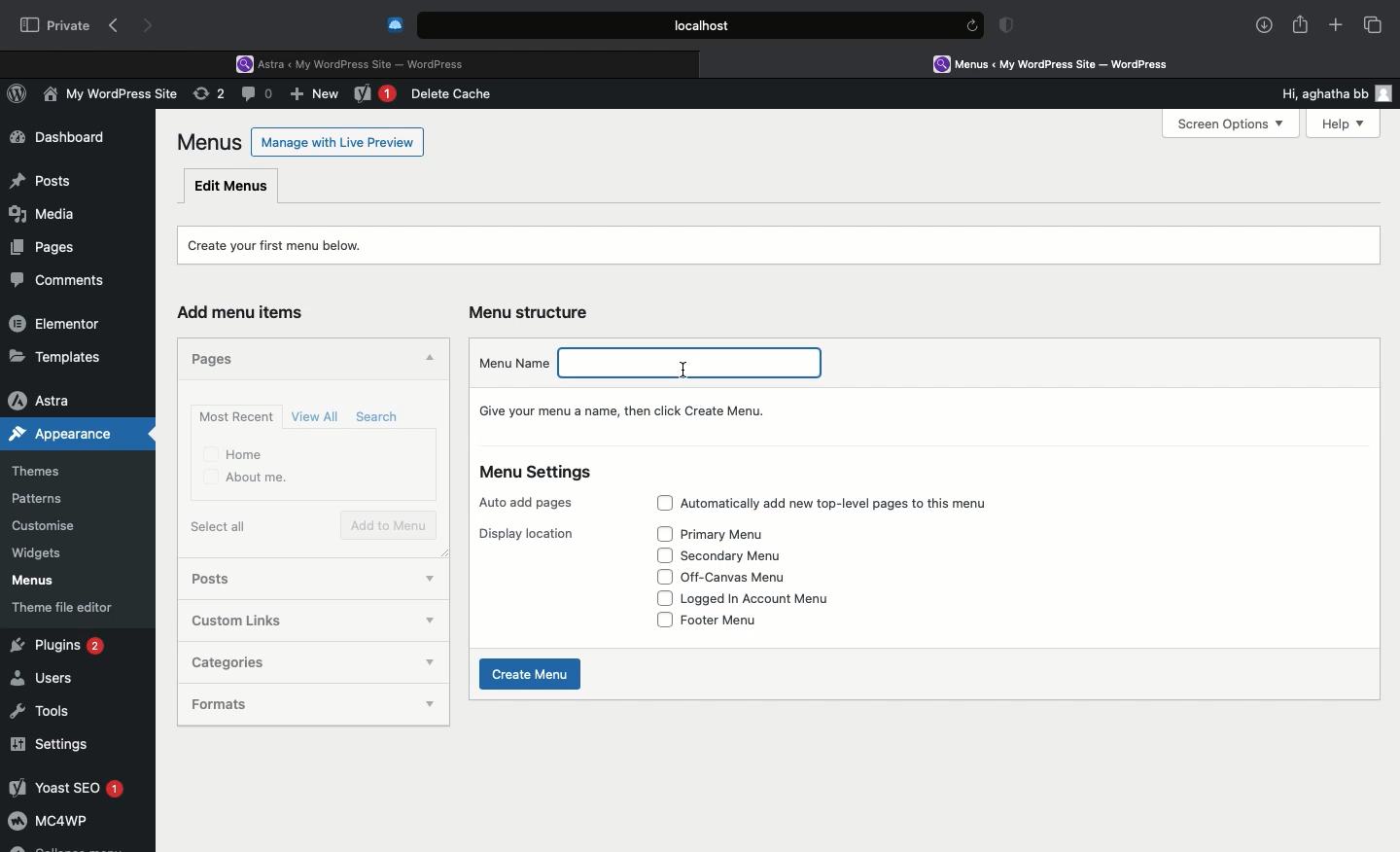 This screenshot has width=1400, height=852. What do you see at coordinates (206, 96) in the screenshot?
I see `Revision (2)` at bounding box center [206, 96].